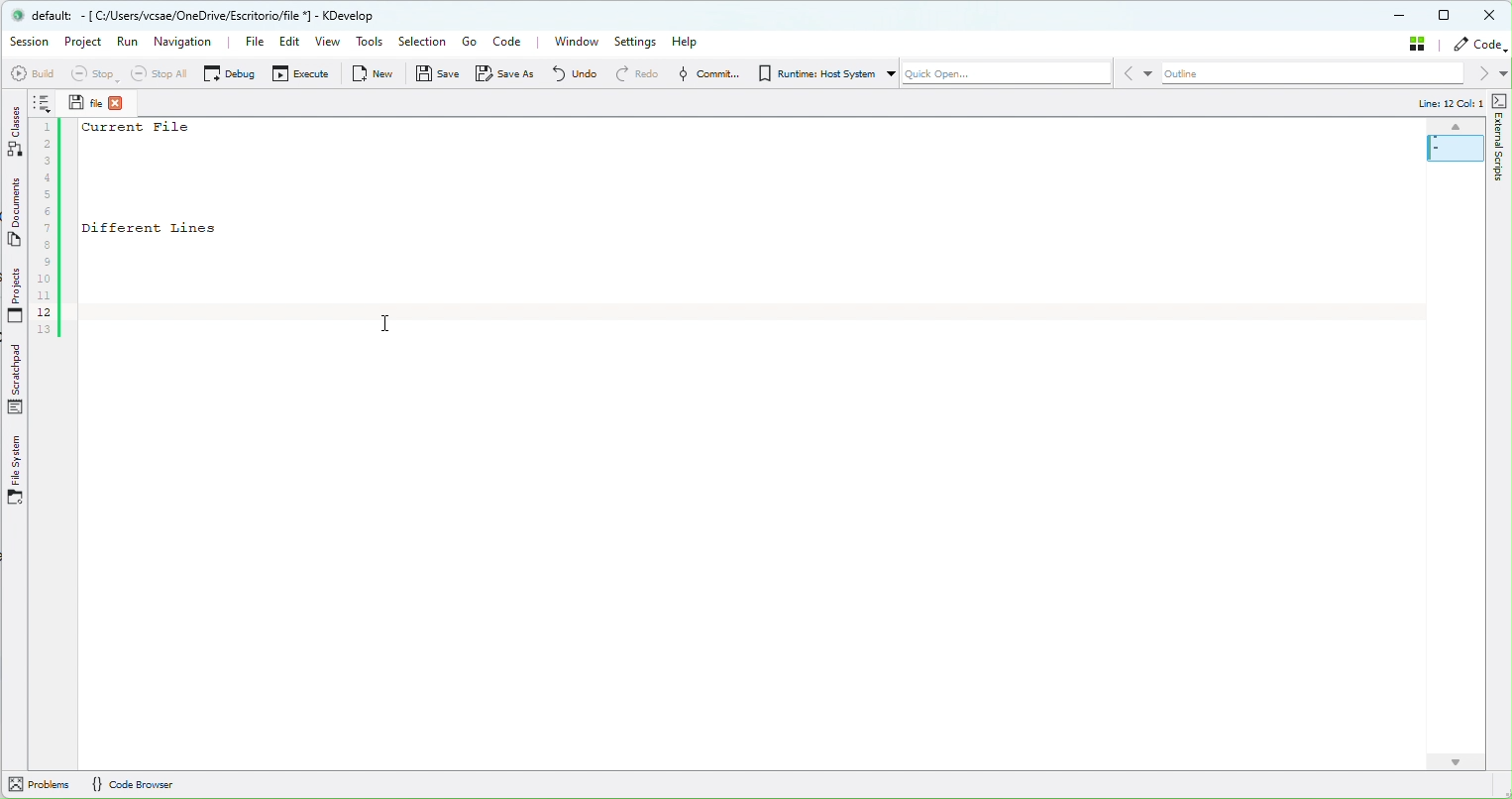 The height and width of the screenshot is (799, 1512). What do you see at coordinates (373, 72) in the screenshot?
I see `New` at bounding box center [373, 72].